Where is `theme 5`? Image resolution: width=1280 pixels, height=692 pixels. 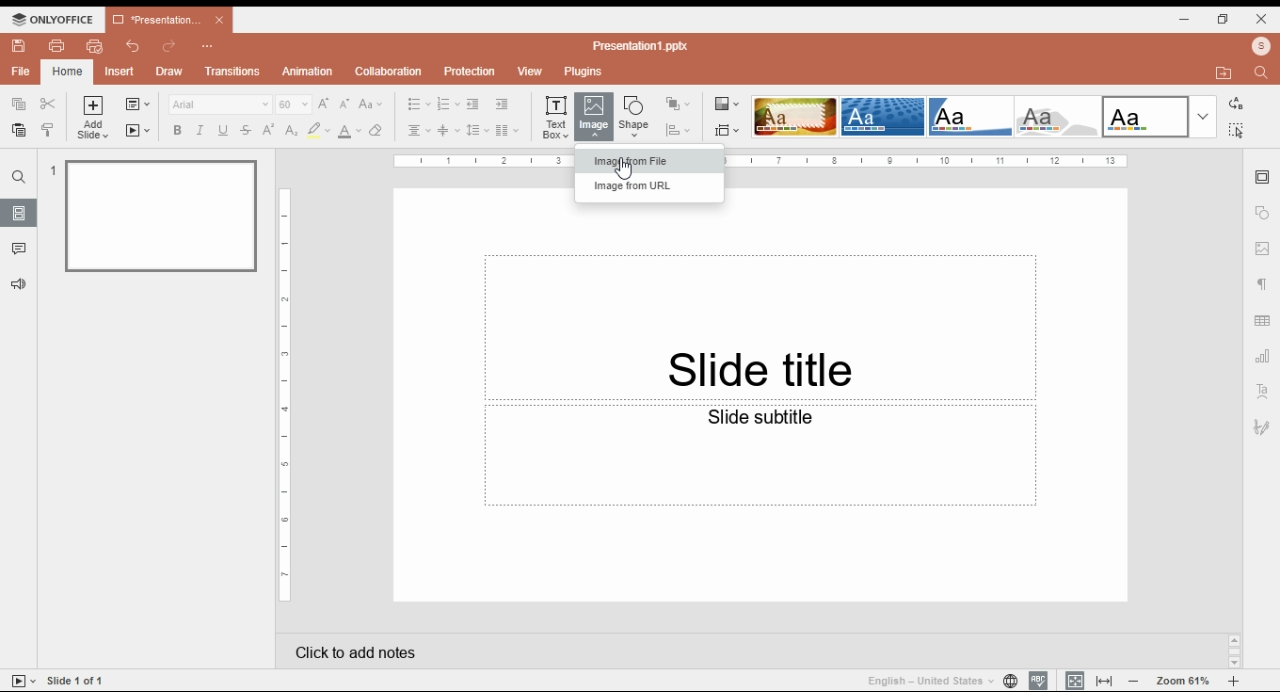 theme 5 is located at coordinates (1145, 117).